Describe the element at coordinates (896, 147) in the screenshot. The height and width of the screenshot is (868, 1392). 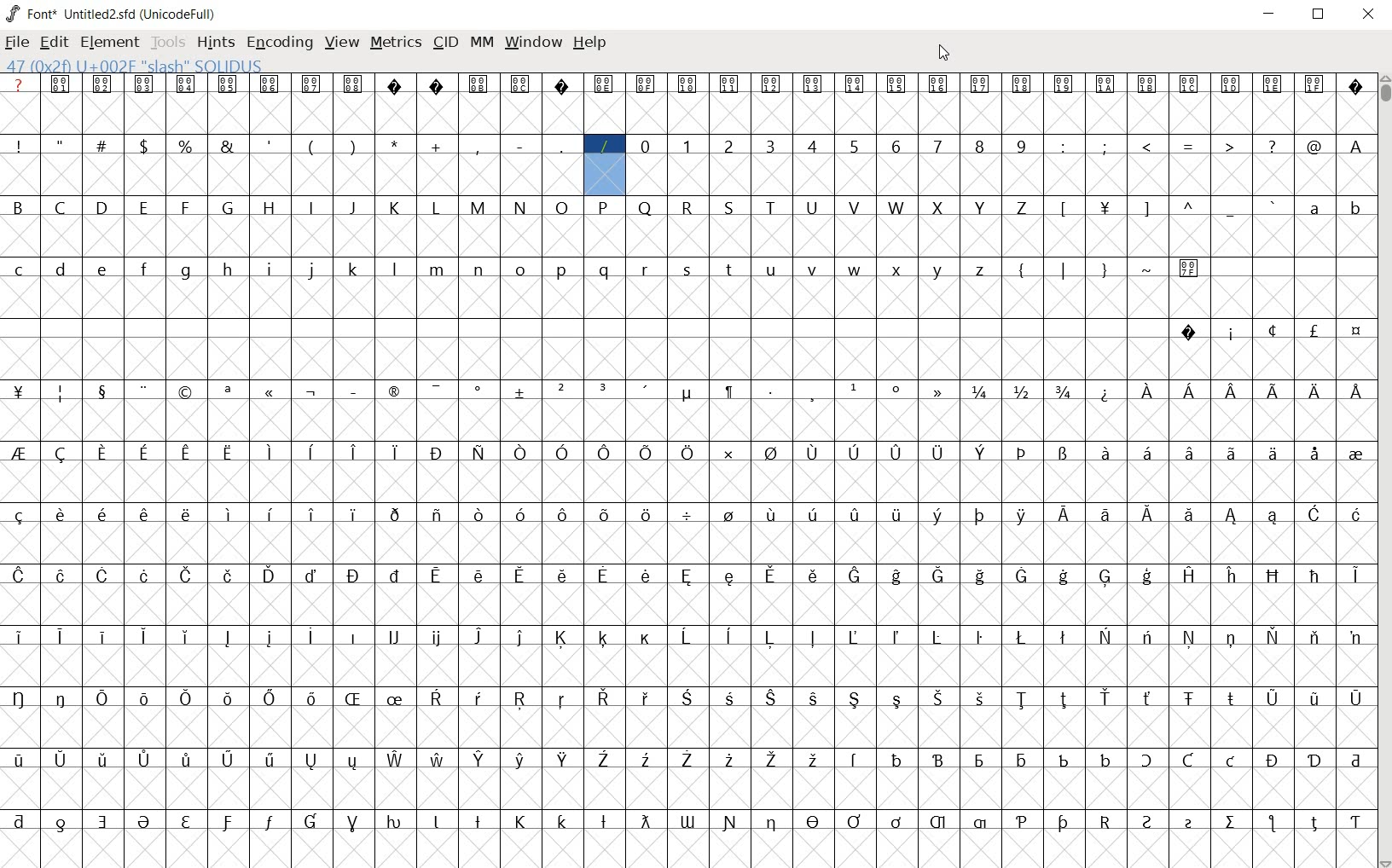
I see `glyph` at that location.